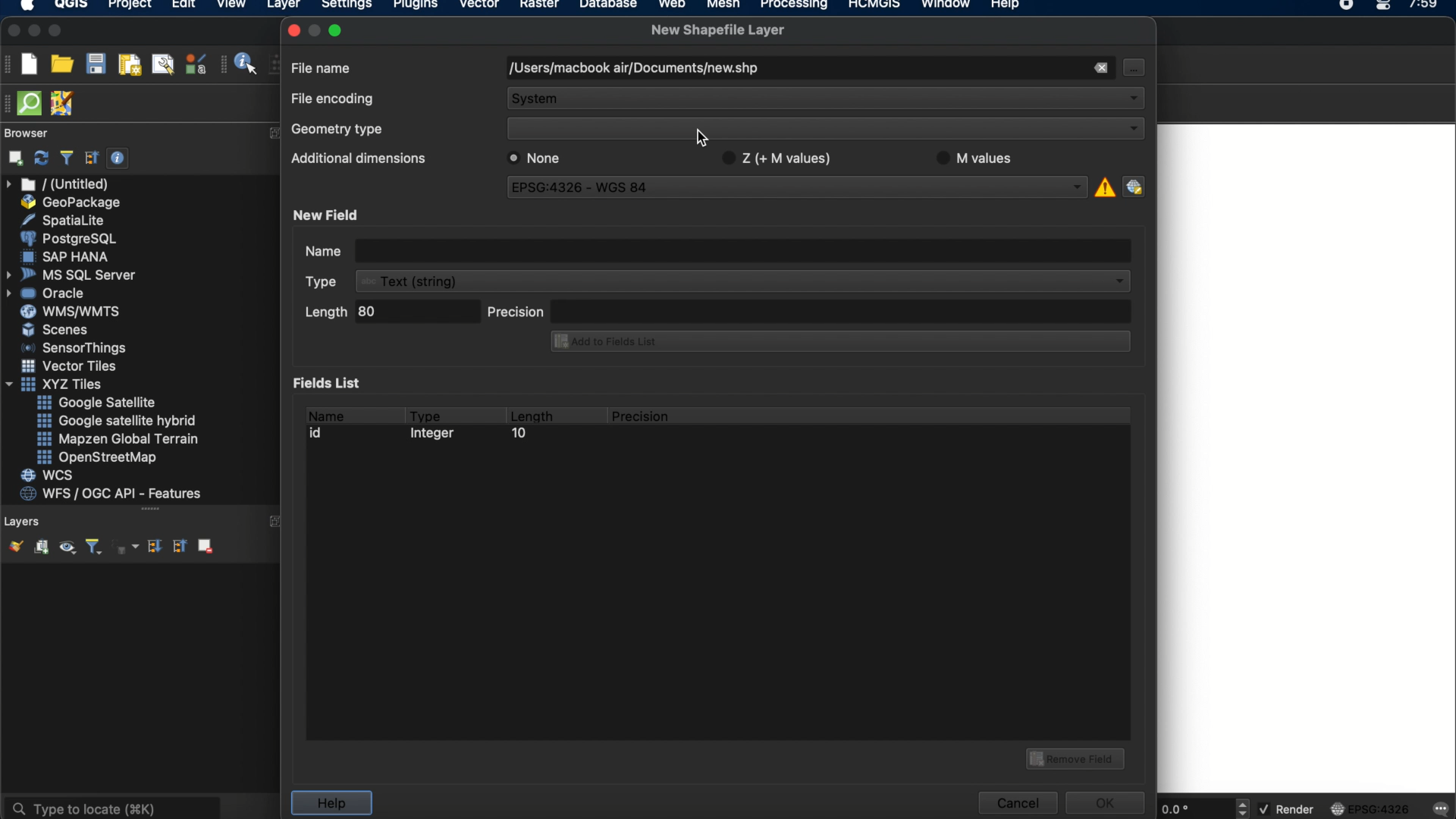 Image resolution: width=1456 pixels, height=819 pixels. What do you see at coordinates (49, 476) in the screenshot?
I see `wcs` at bounding box center [49, 476].